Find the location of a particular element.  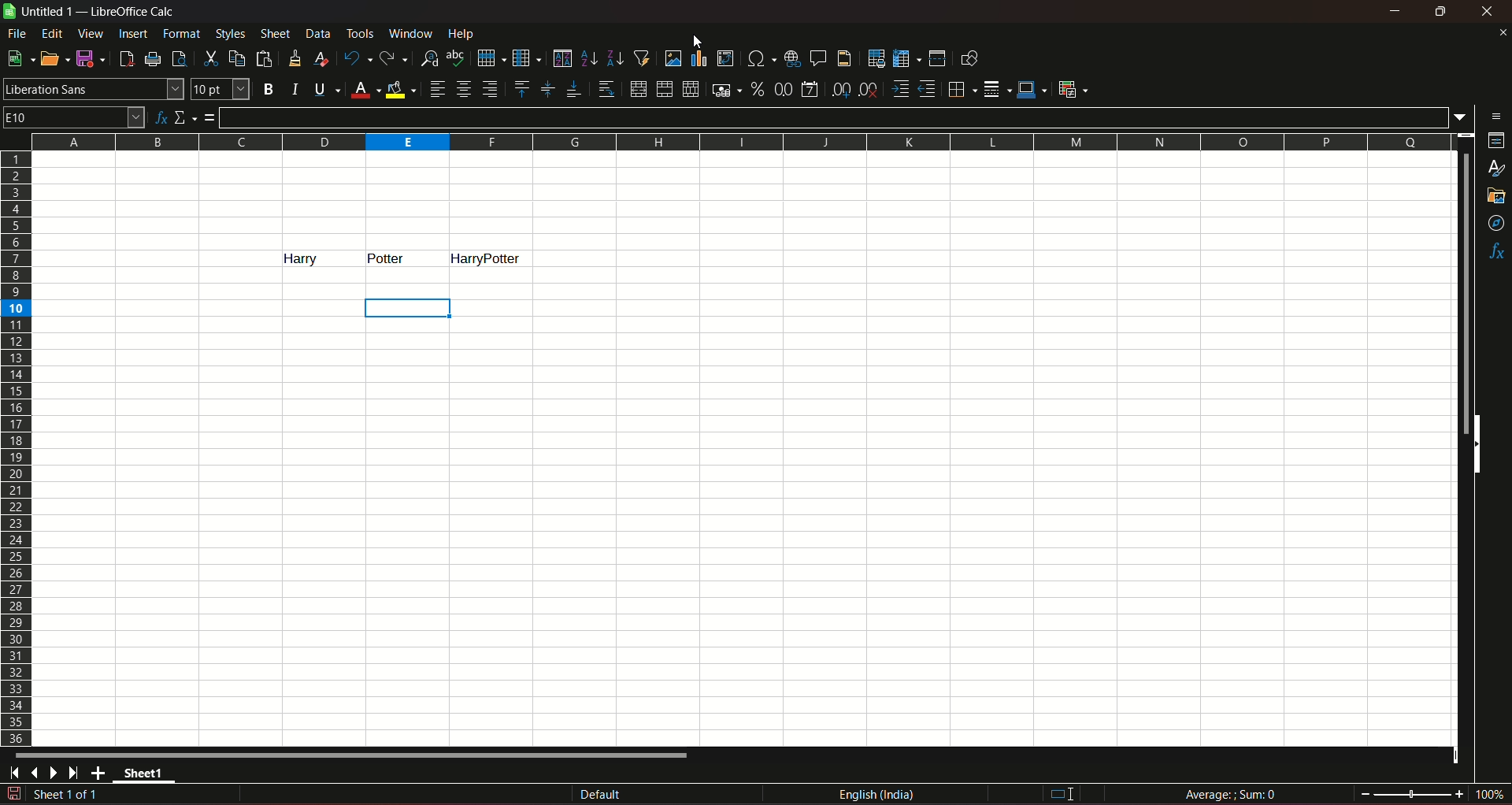

cursor is located at coordinates (696, 41).